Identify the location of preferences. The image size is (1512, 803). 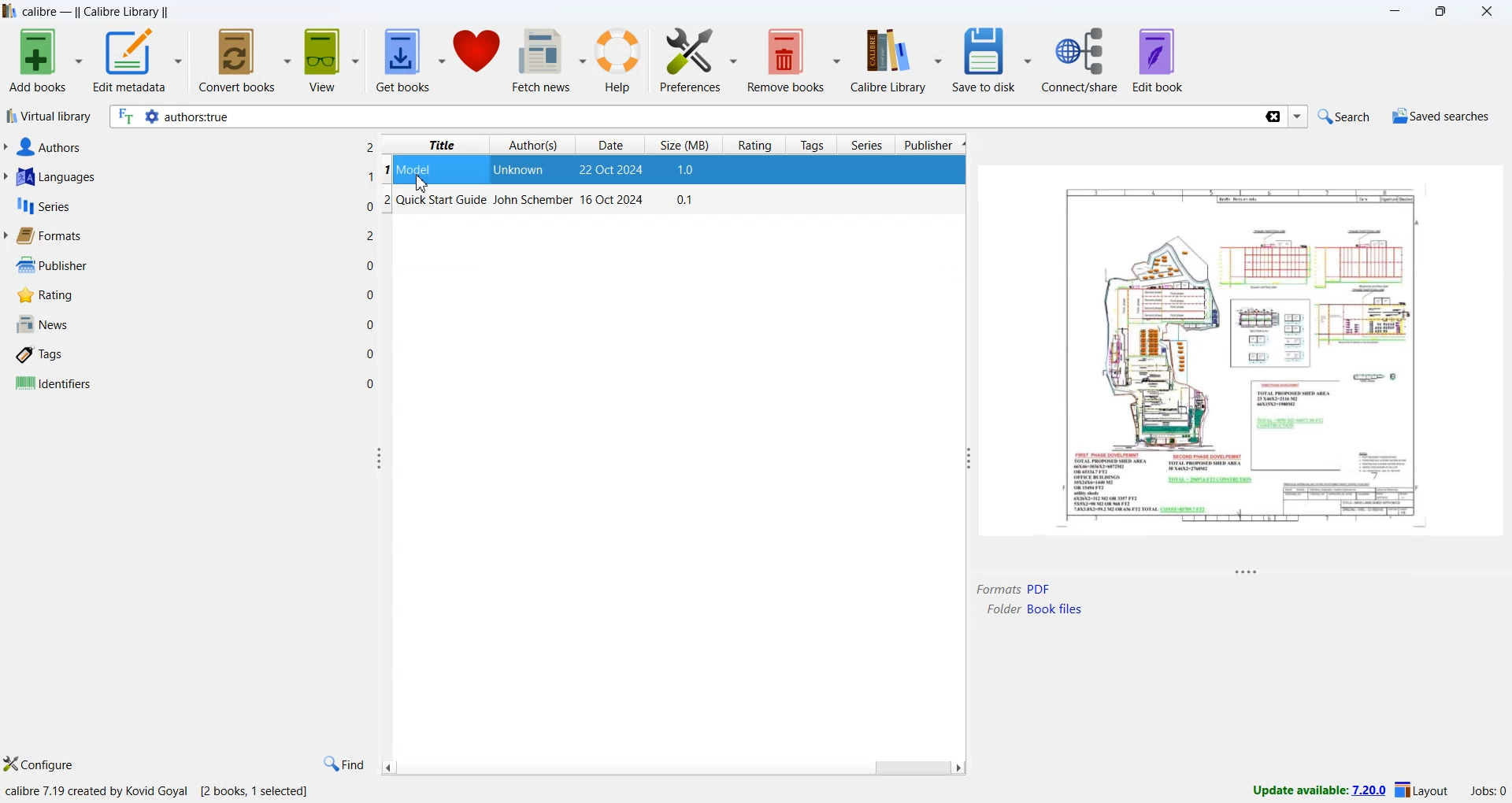
(699, 61).